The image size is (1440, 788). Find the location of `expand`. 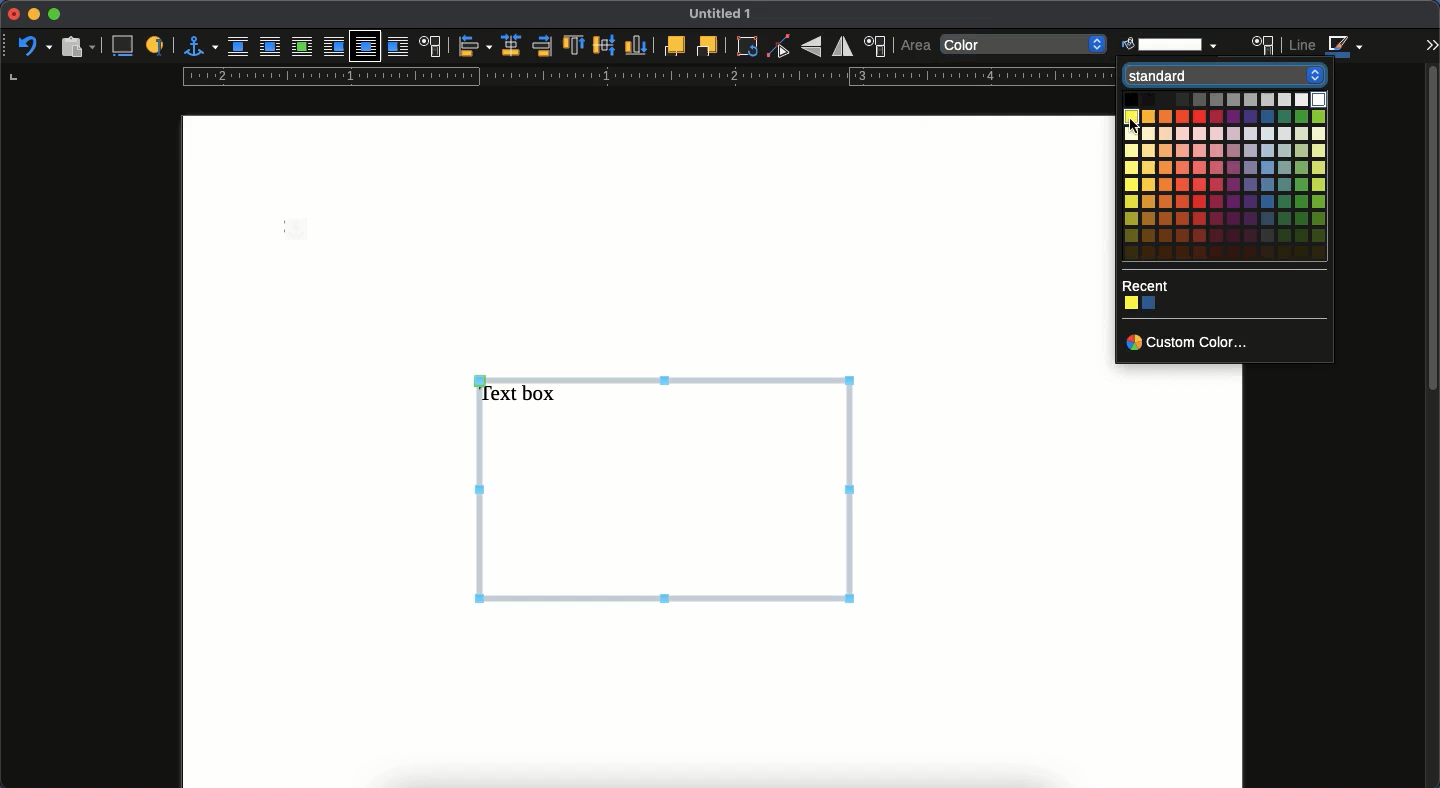

expand is located at coordinates (1431, 44).